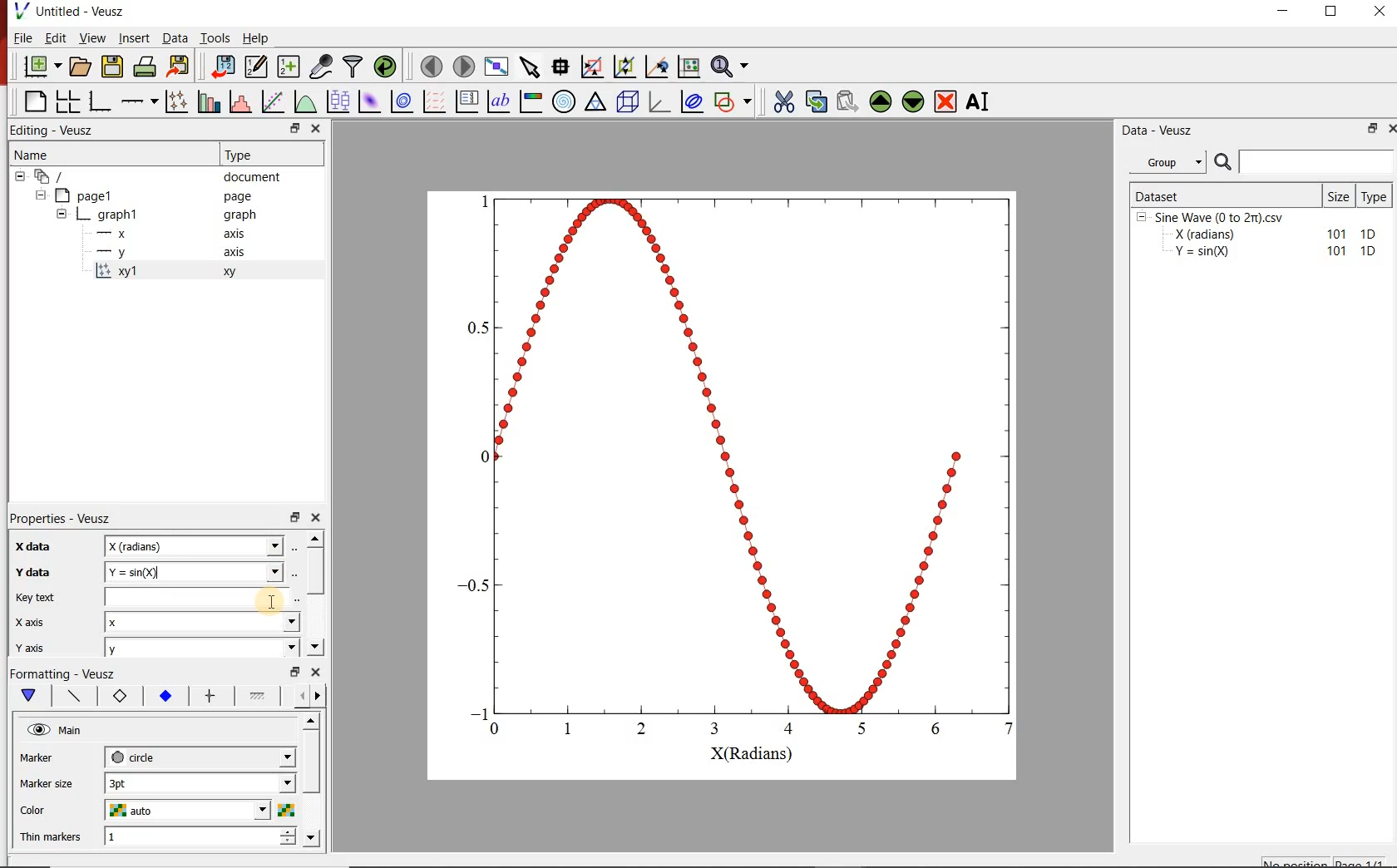 The width and height of the screenshot is (1397, 868). What do you see at coordinates (689, 66) in the screenshot?
I see `click to reset graphs` at bounding box center [689, 66].